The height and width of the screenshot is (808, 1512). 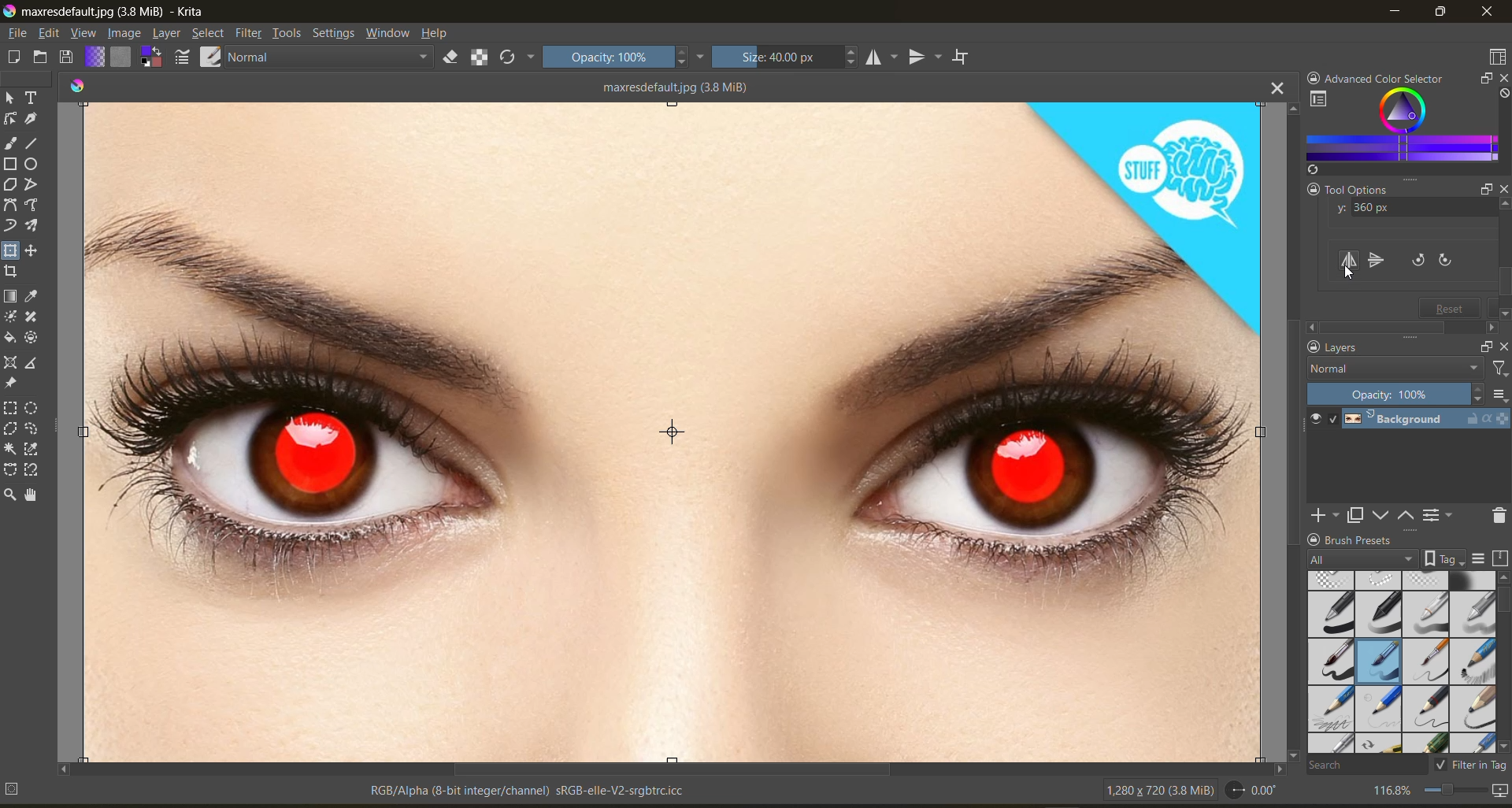 I want to click on tool, so click(x=31, y=120).